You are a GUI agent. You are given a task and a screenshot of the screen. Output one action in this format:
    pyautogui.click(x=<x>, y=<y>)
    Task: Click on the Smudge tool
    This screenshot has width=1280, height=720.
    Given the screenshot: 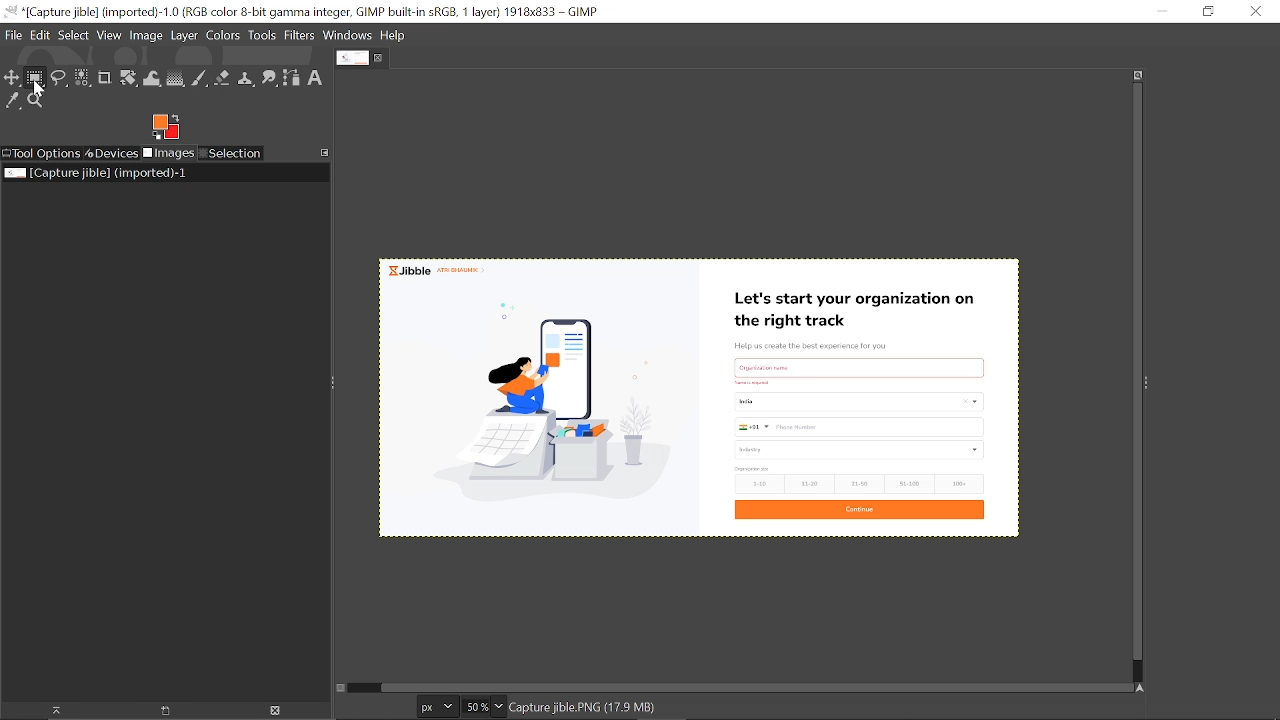 What is the action you would take?
    pyautogui.click(x=270, y=79)
    